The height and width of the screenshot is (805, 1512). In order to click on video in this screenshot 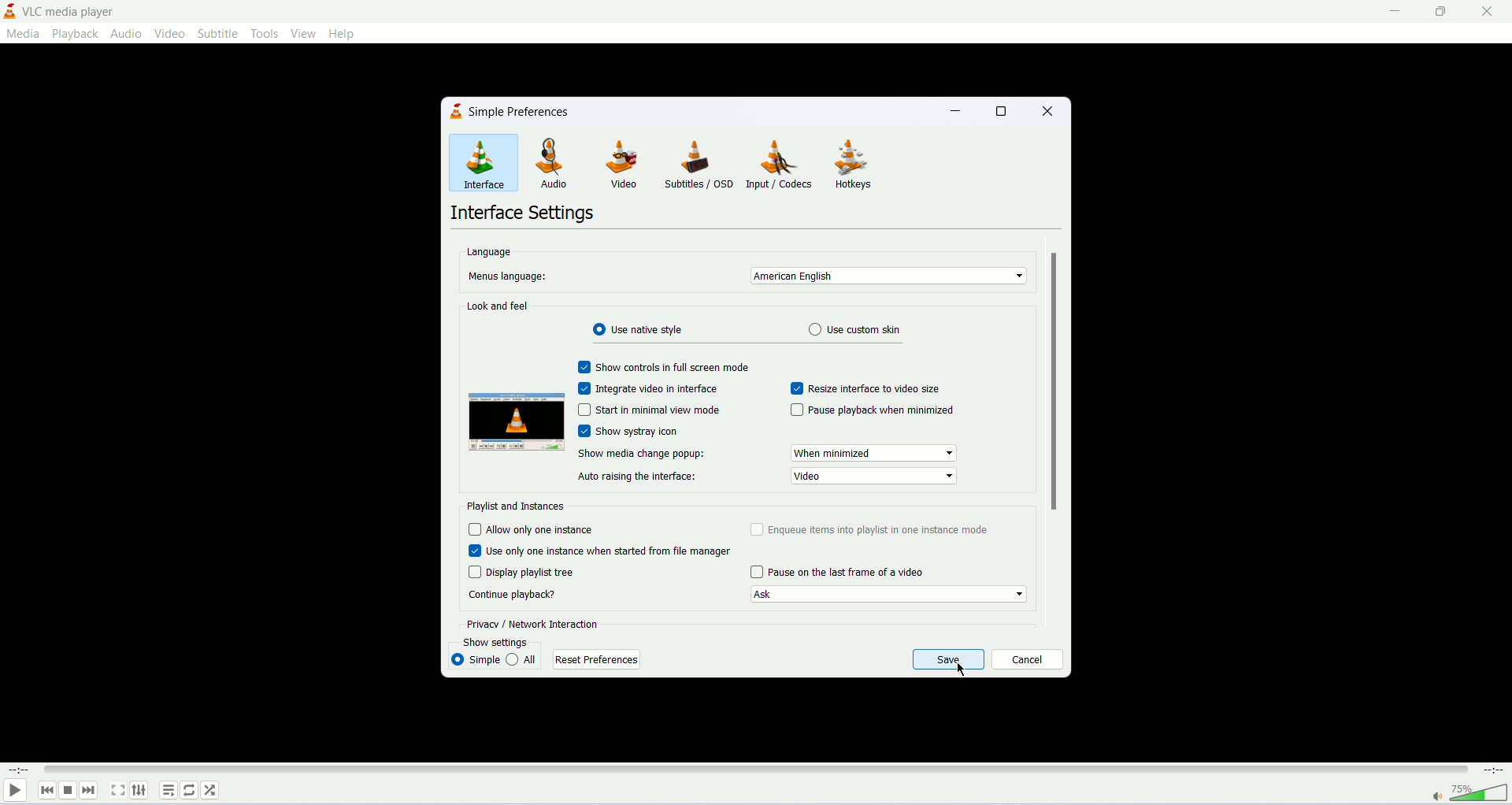, I will do `click(626, 165)`.